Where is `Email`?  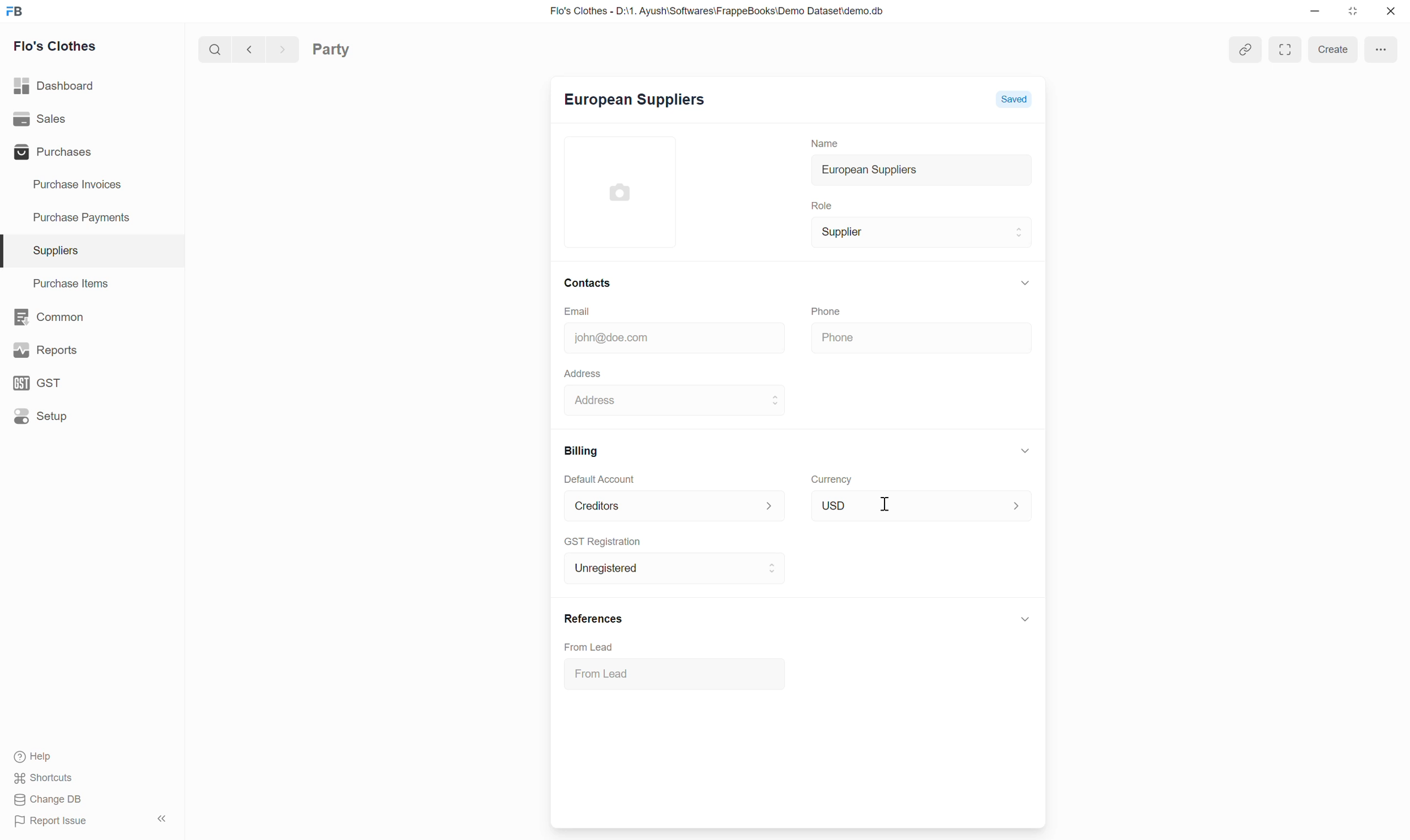
Email is located at coordinates (601, 309).